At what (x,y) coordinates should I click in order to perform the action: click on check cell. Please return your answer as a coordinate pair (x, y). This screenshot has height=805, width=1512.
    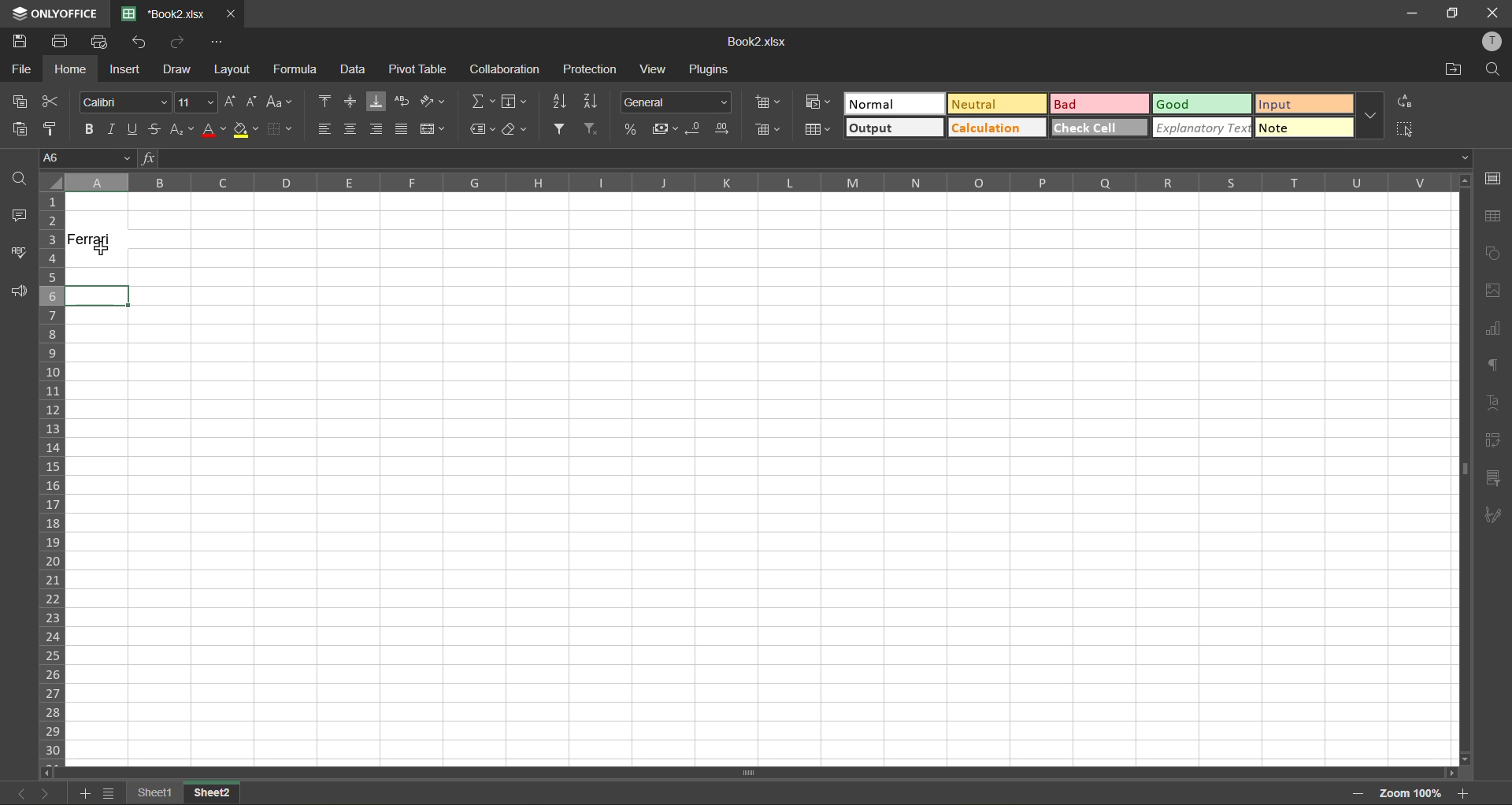
    Looking at the image, I should click on (1100, 128).